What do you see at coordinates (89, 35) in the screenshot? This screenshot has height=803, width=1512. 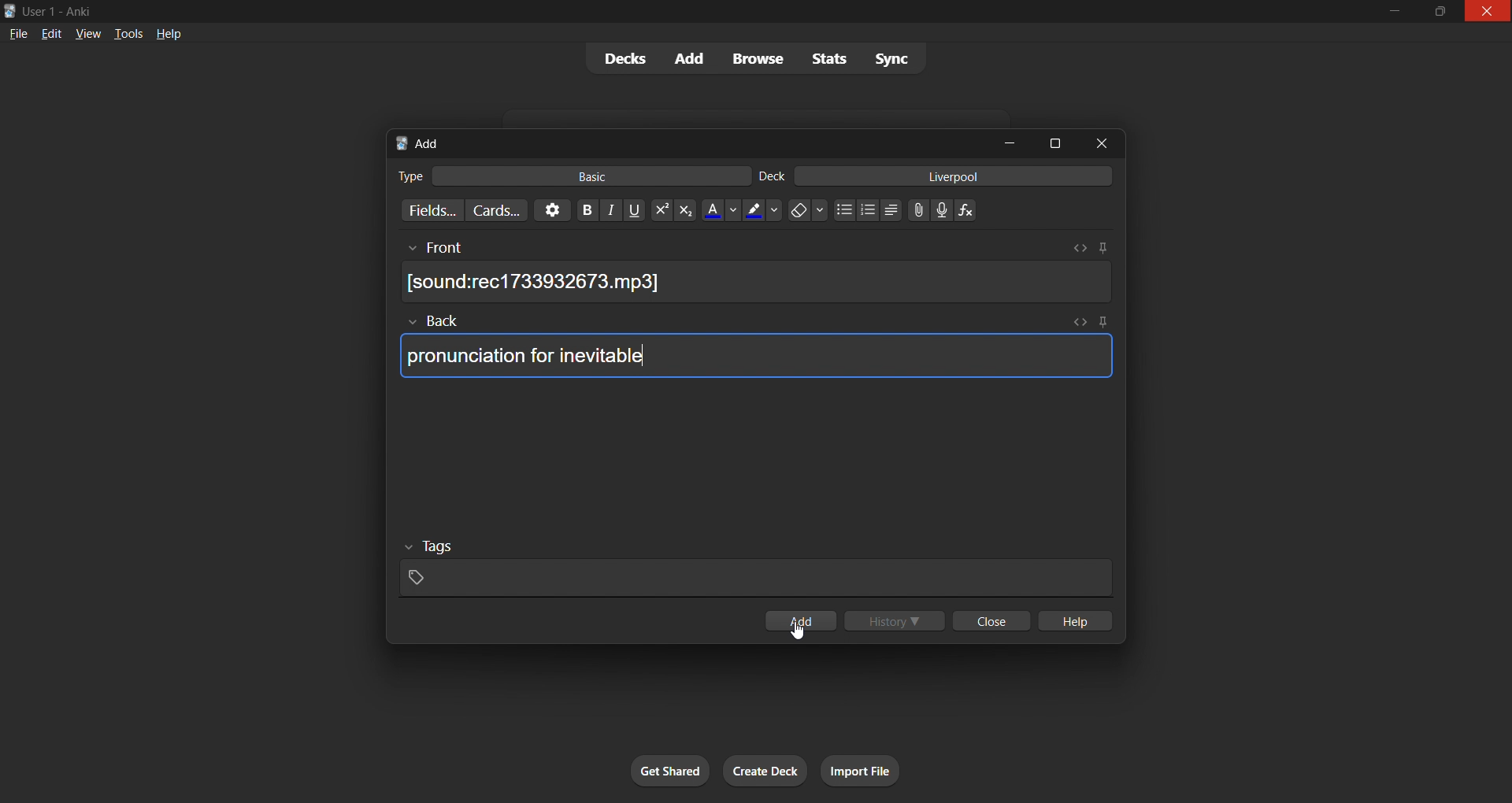 I see `view` at bounding box center [89, 35].